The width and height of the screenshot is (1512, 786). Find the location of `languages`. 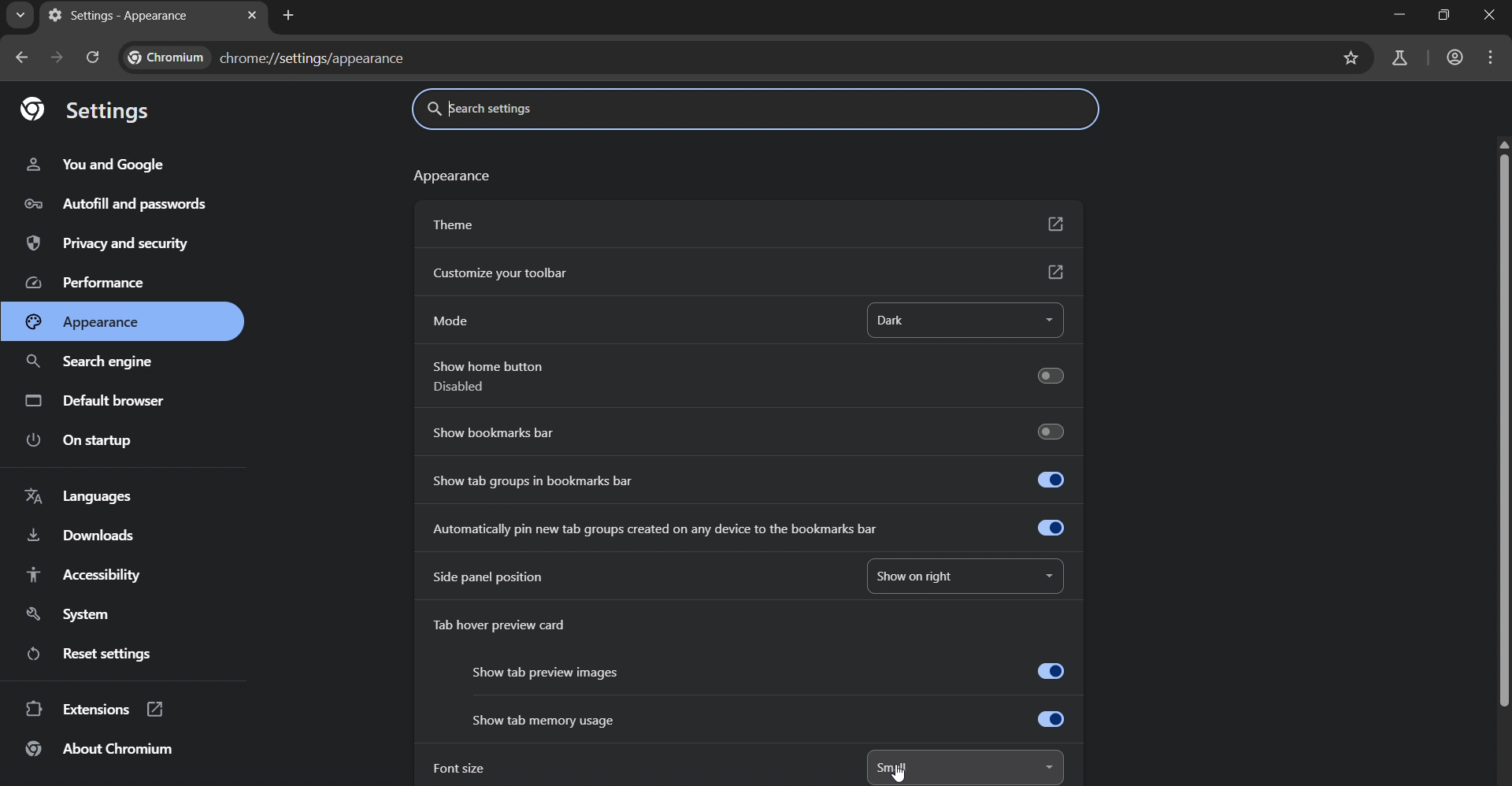

languages is located at coordinates (85, 495).